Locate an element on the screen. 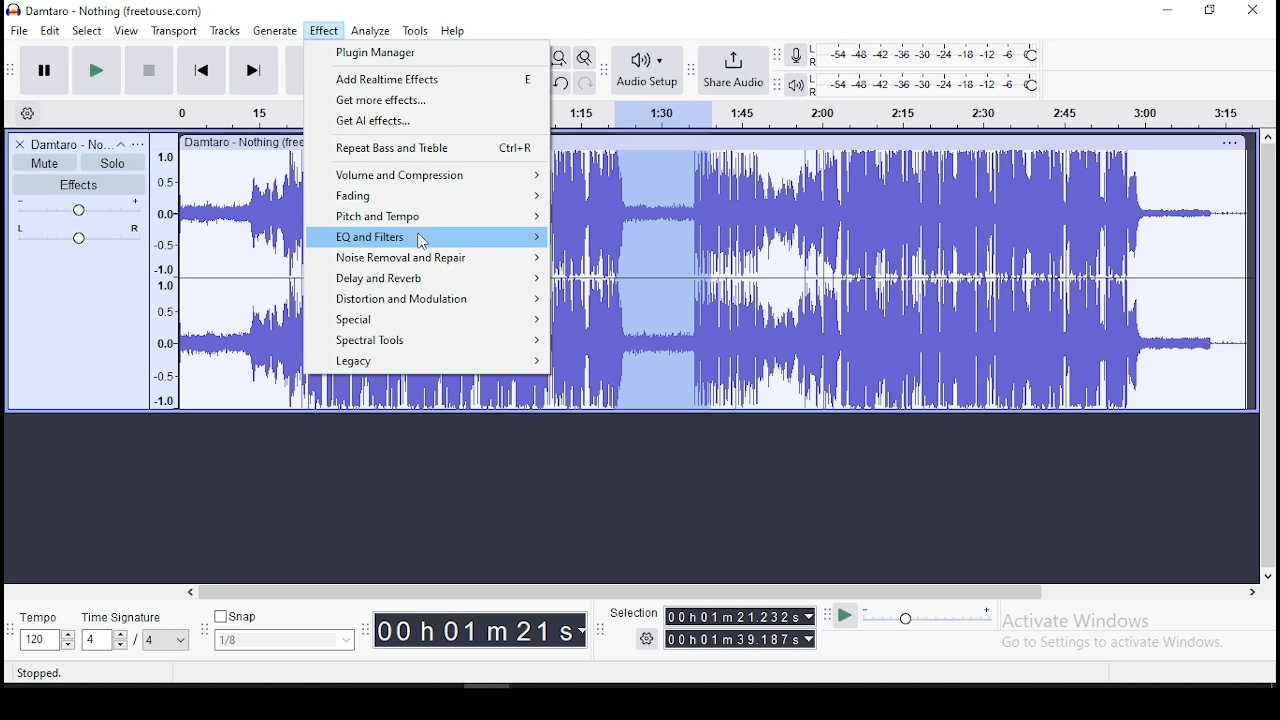 The width and height of the screenshot is (1280, 720). stop is located at coordinates (148, 69).